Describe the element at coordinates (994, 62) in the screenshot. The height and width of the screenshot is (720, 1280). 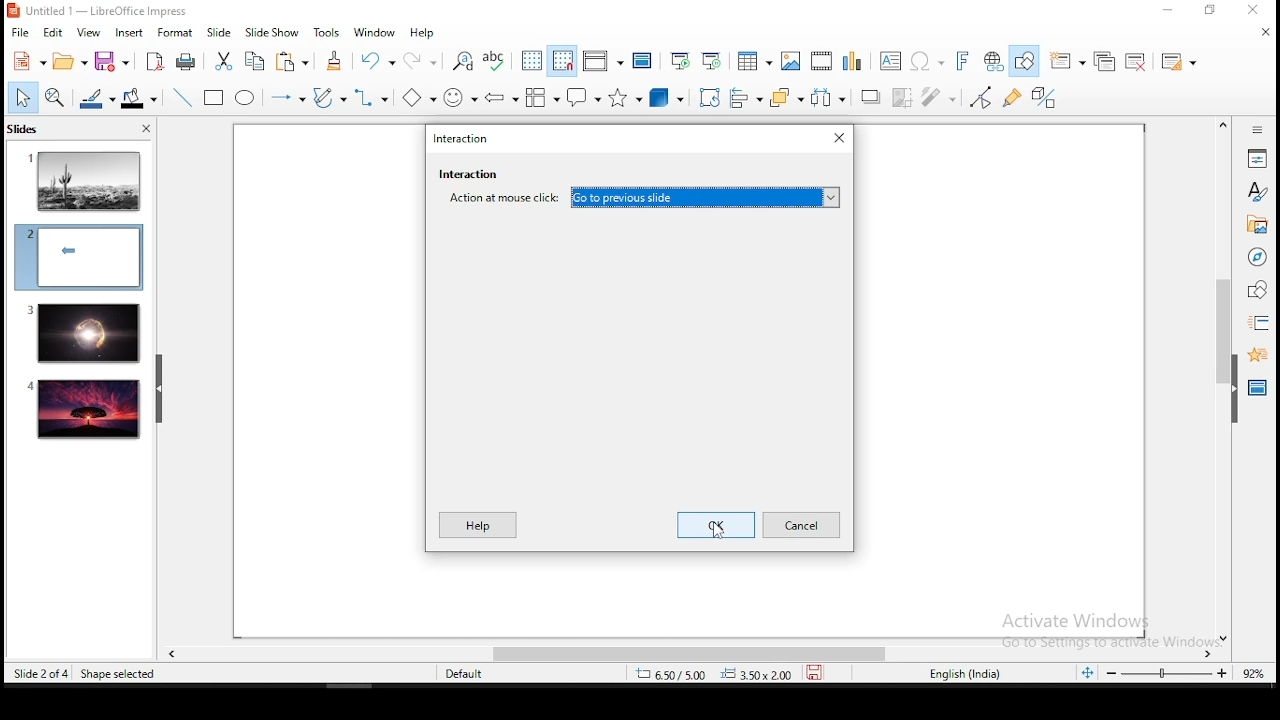
I see `hyperlink` at that location.